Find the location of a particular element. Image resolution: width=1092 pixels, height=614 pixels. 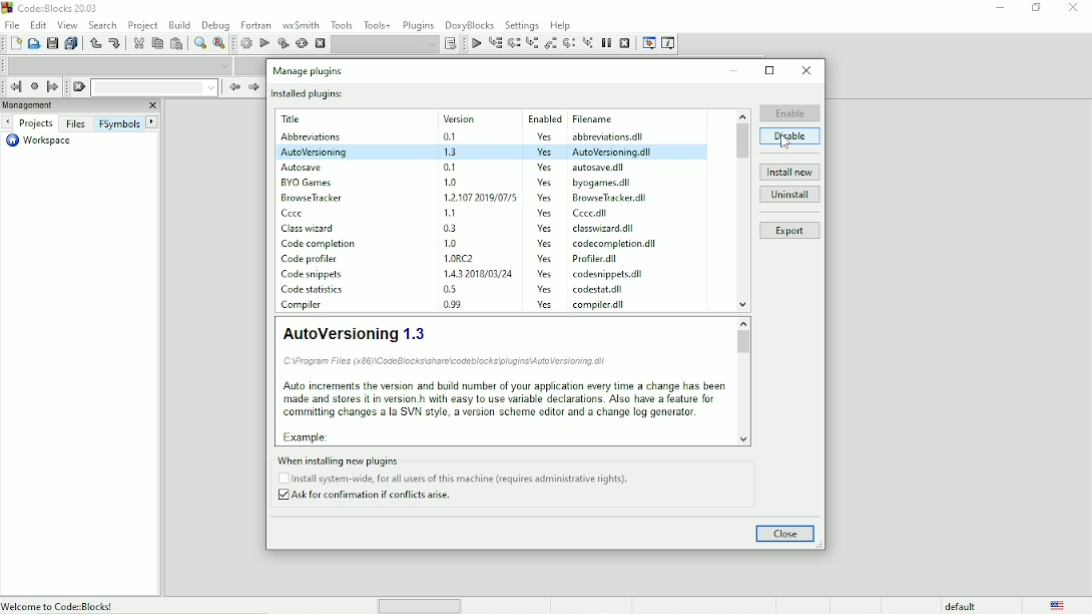

Class wizard is located at coordinates (310, 229).